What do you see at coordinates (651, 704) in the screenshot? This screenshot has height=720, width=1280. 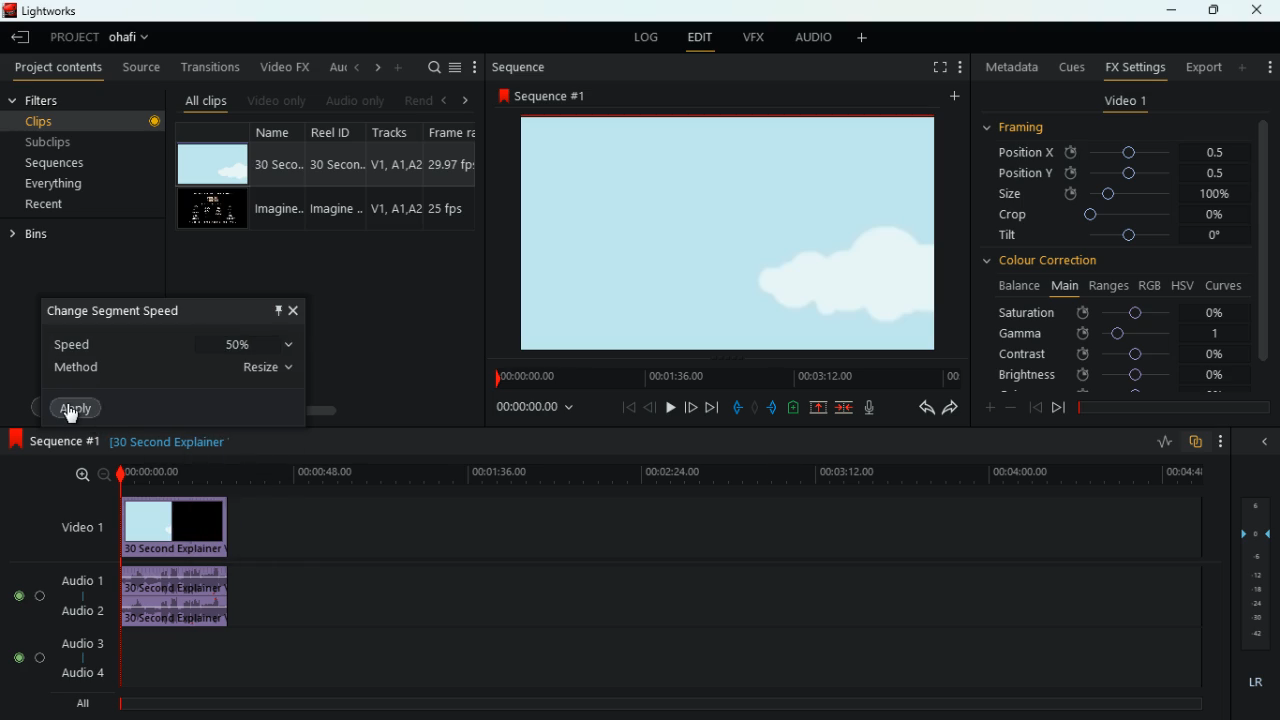 I see `timeline` at bounding box center [651, 704].